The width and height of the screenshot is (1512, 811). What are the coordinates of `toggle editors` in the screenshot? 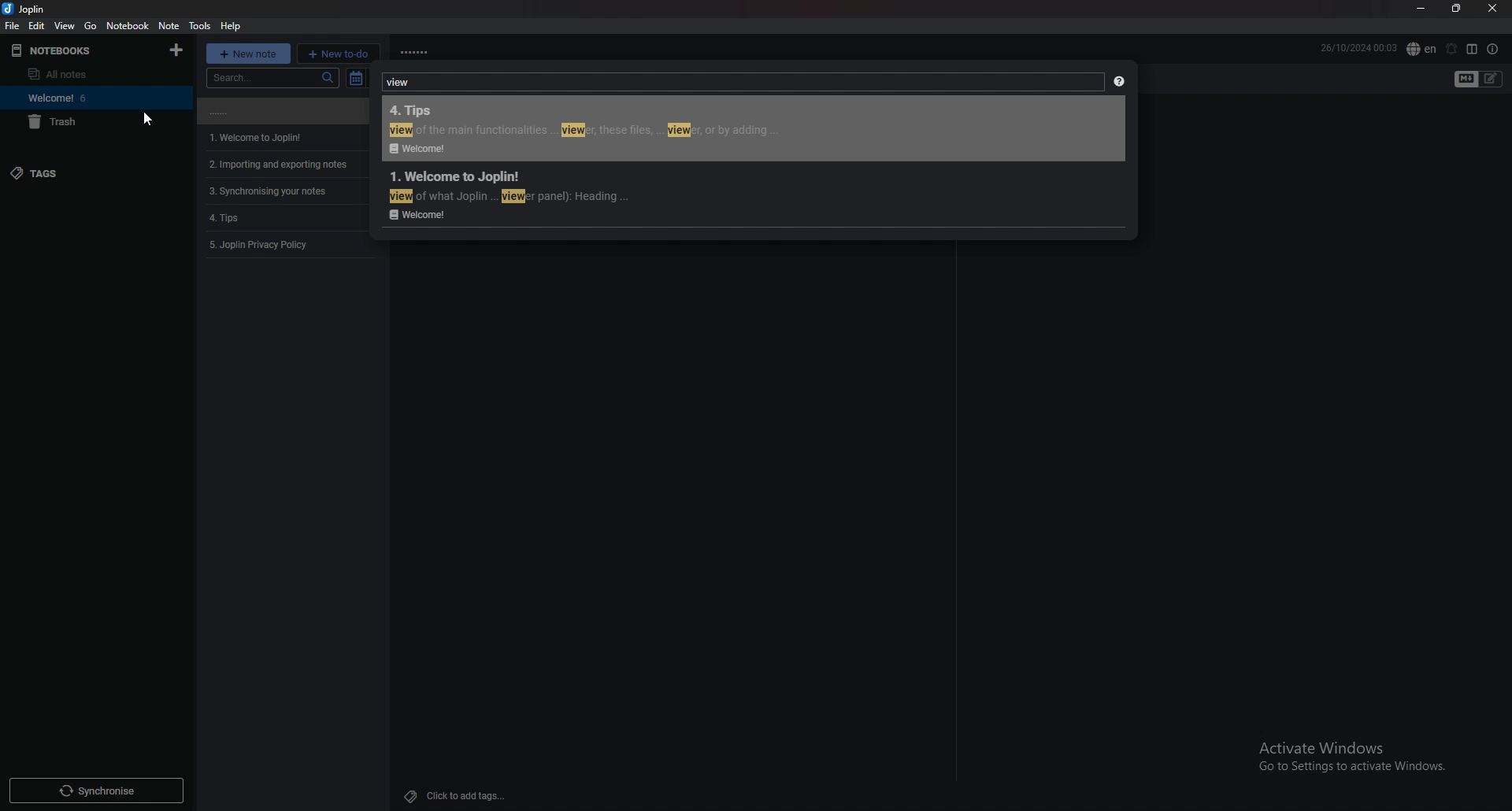 It's located at (1492, 80).